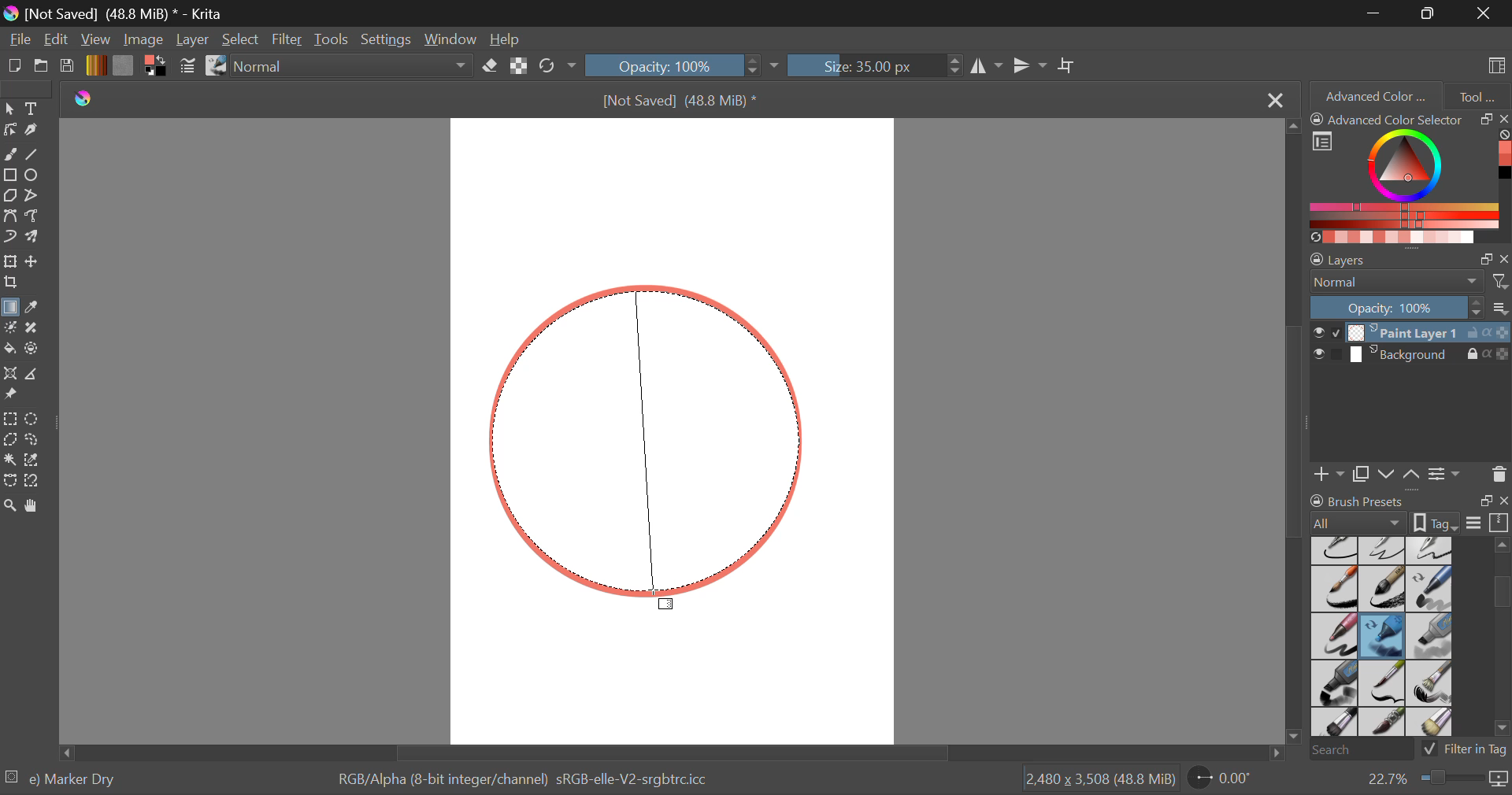  I want to click on Selected Brush Preset, so click(65, 777).